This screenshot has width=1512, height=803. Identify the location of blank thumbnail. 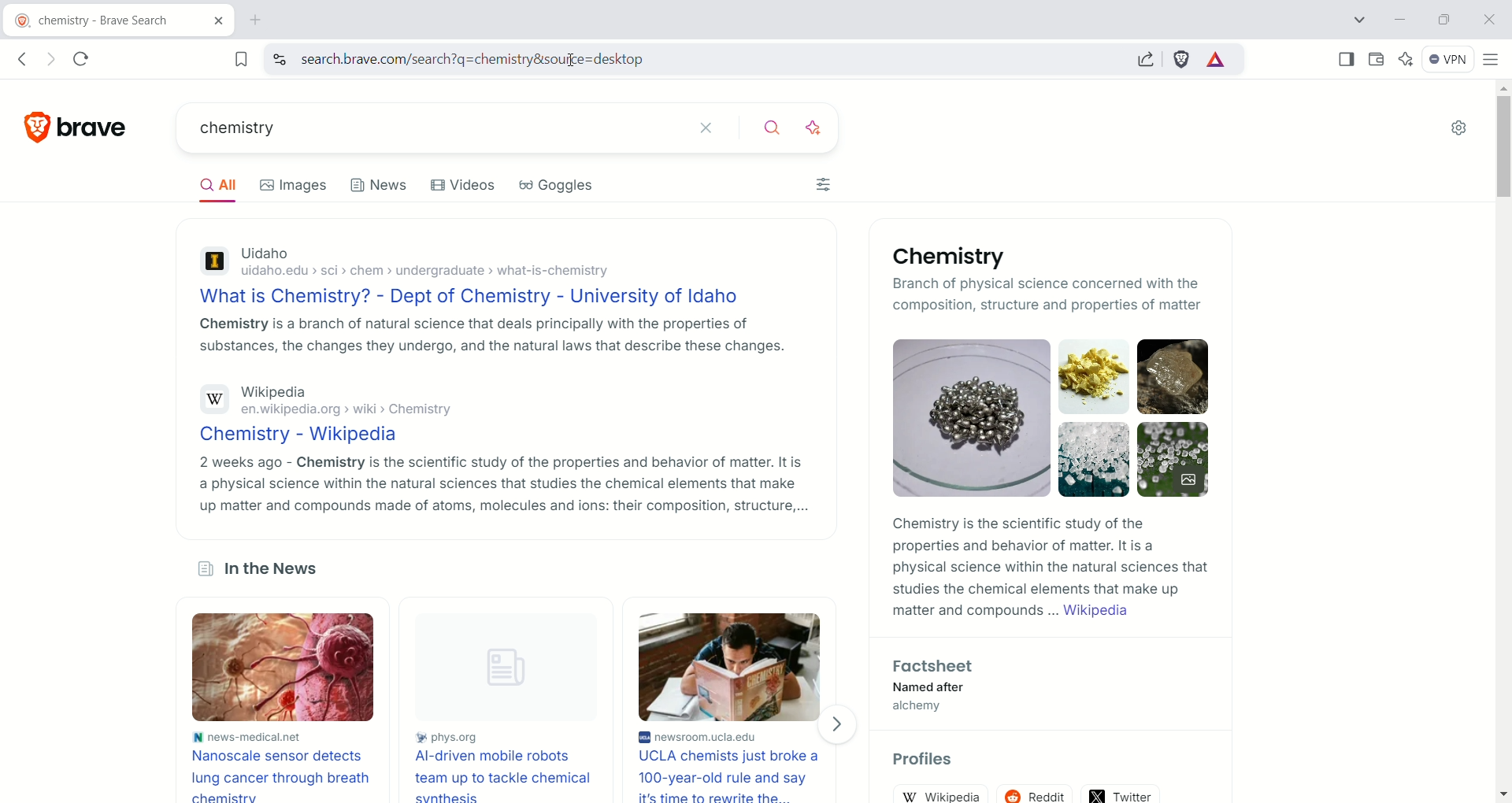
(514, 669).